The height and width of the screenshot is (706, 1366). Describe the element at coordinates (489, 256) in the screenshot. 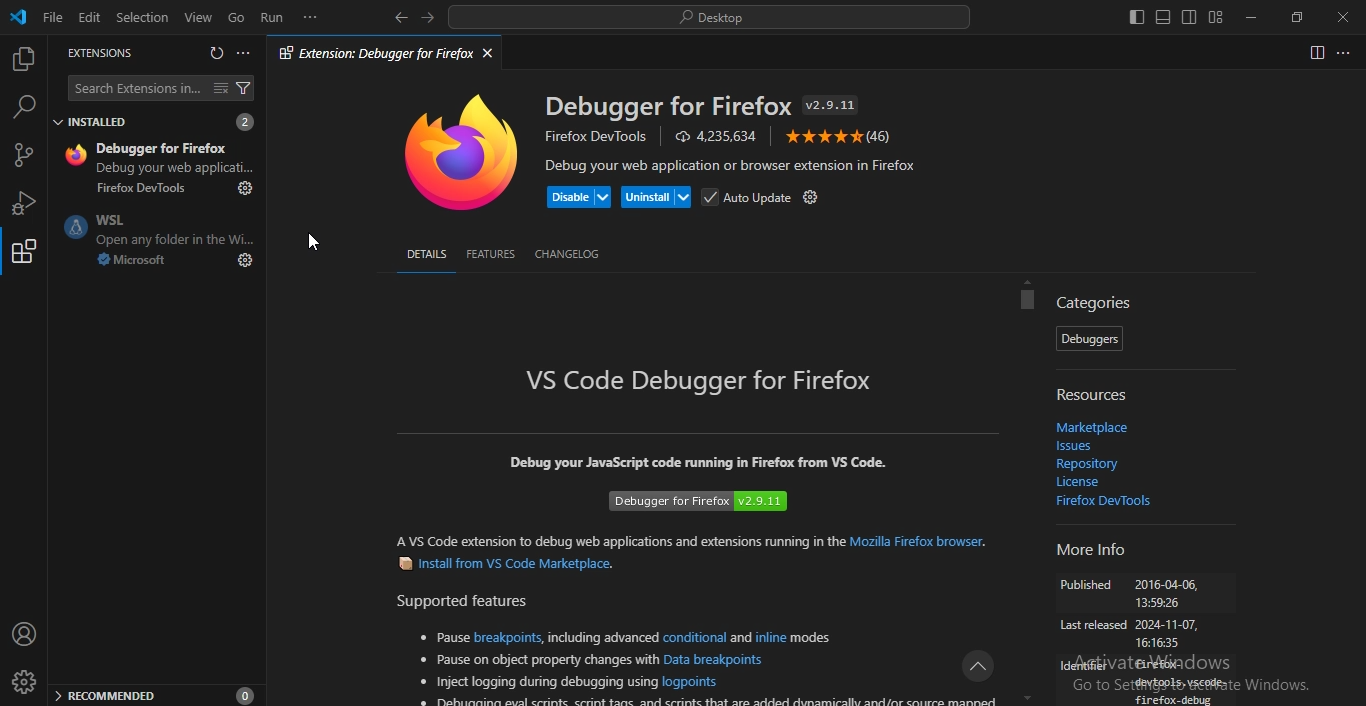

I see `features` at that location.